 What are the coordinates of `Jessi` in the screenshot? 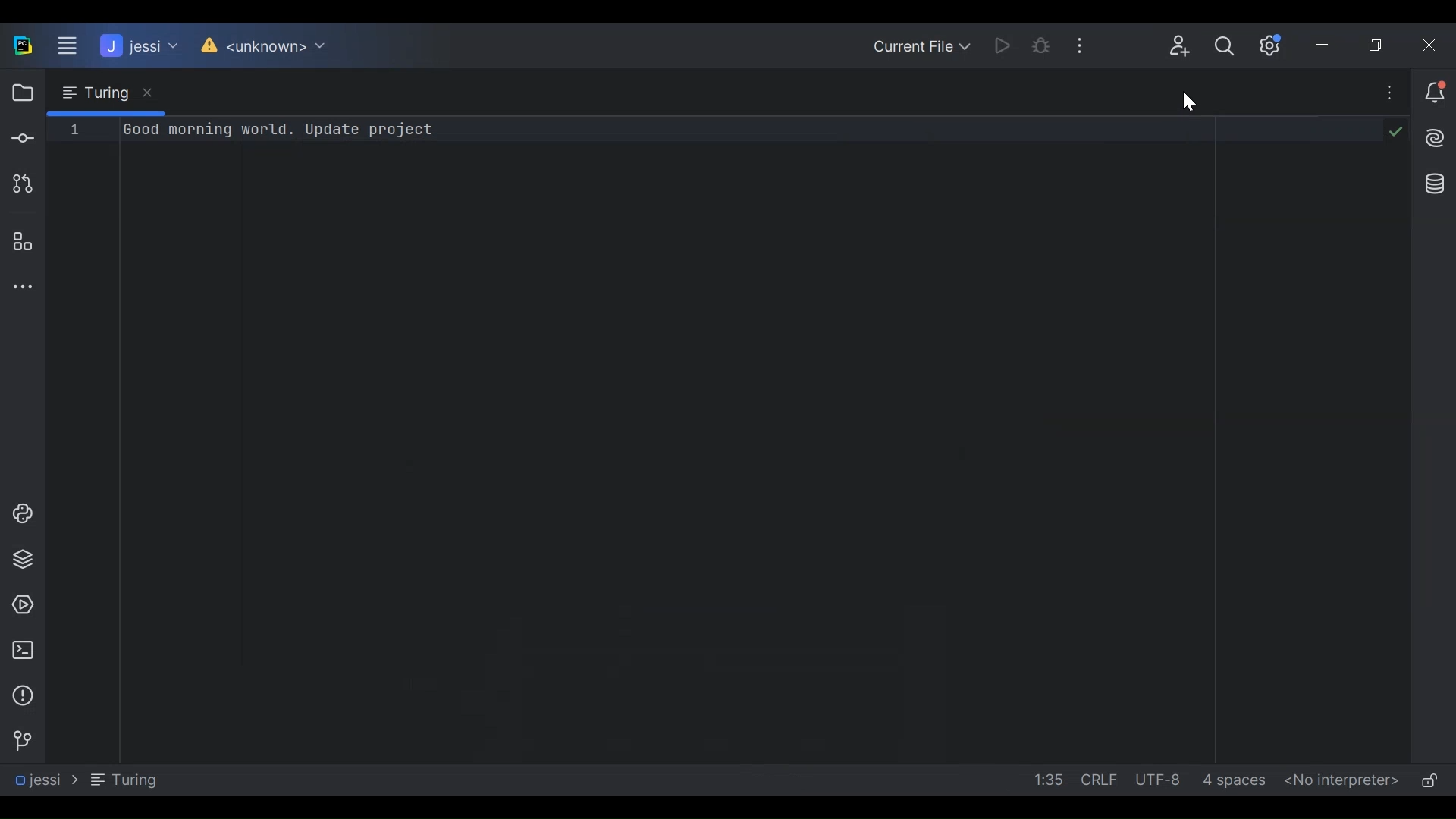 It's located at (45, 780).